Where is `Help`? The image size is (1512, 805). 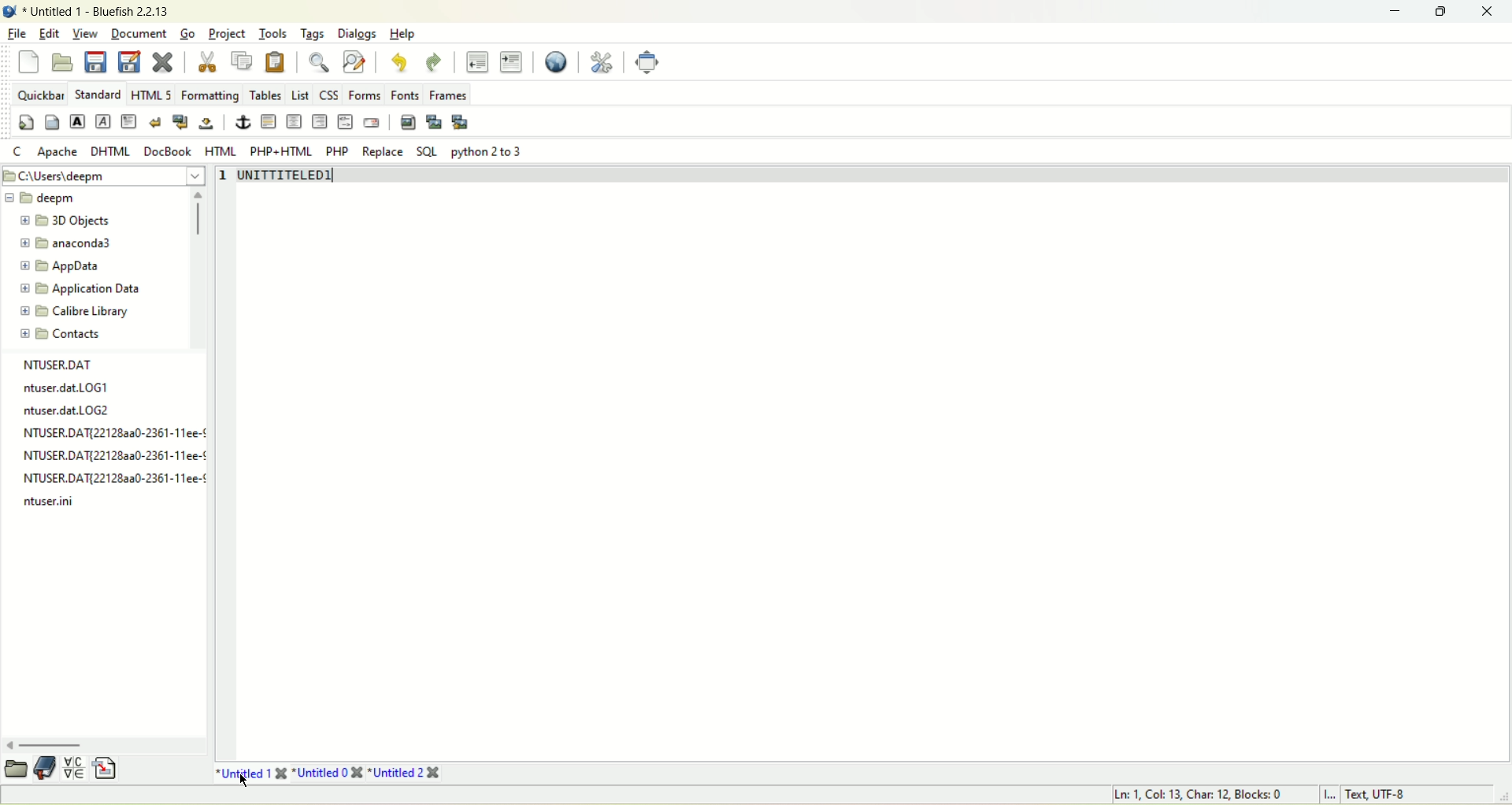 Help is located at coordinates (402, 32).